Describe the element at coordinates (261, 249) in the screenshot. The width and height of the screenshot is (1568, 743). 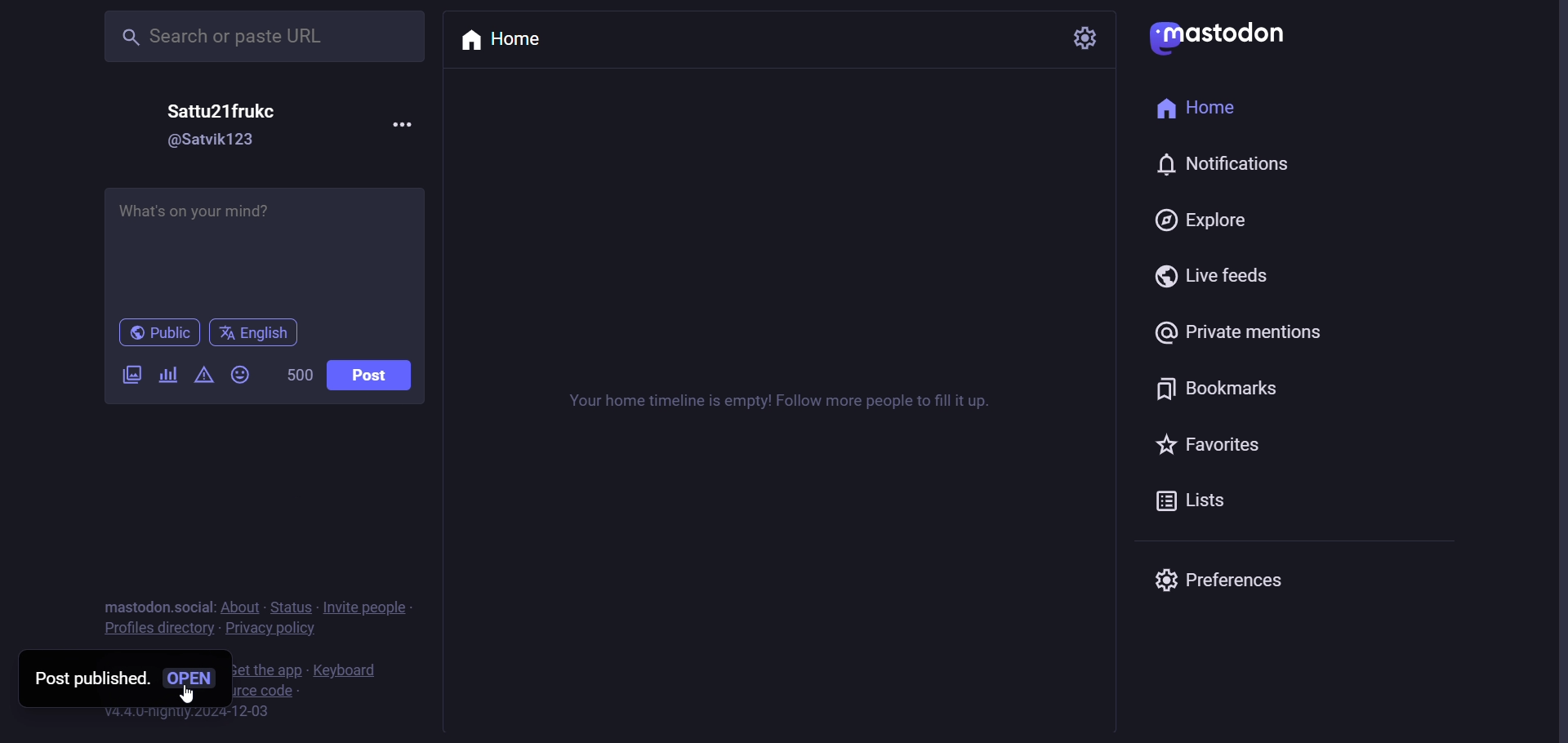
I see `What's on your mind?` at that location.